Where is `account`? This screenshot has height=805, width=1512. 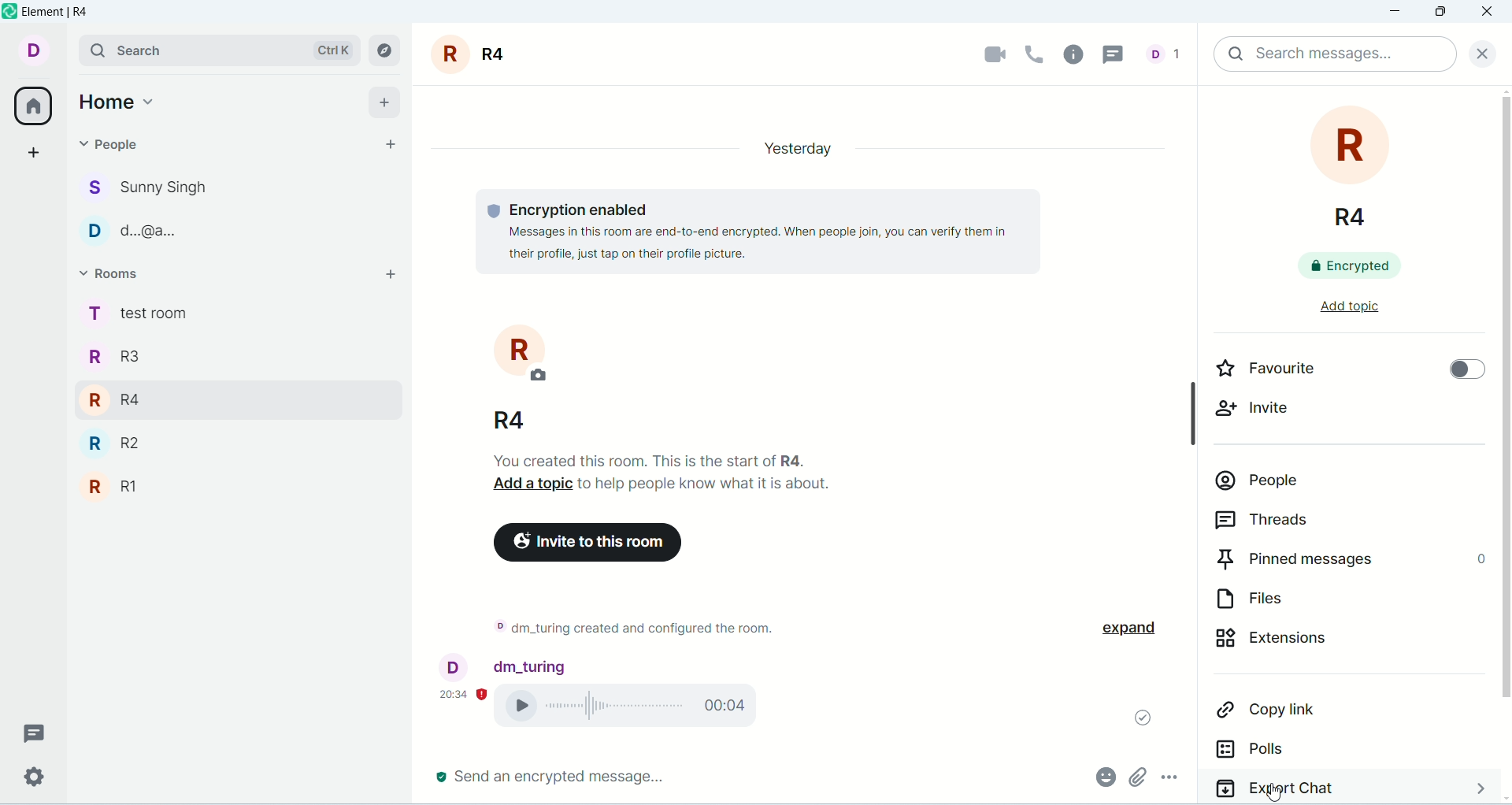 account is located at coordinates (31, 49).